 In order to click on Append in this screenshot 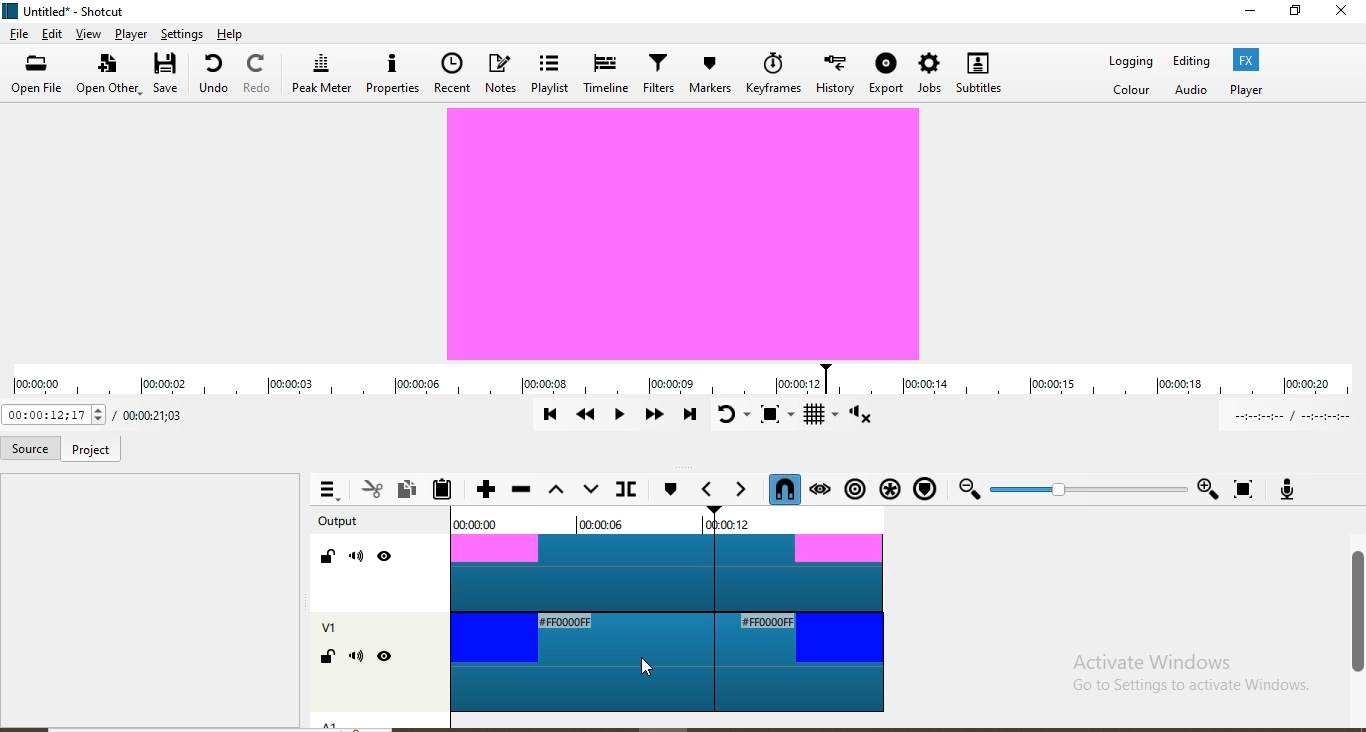, I will do `click(486, 489)`.